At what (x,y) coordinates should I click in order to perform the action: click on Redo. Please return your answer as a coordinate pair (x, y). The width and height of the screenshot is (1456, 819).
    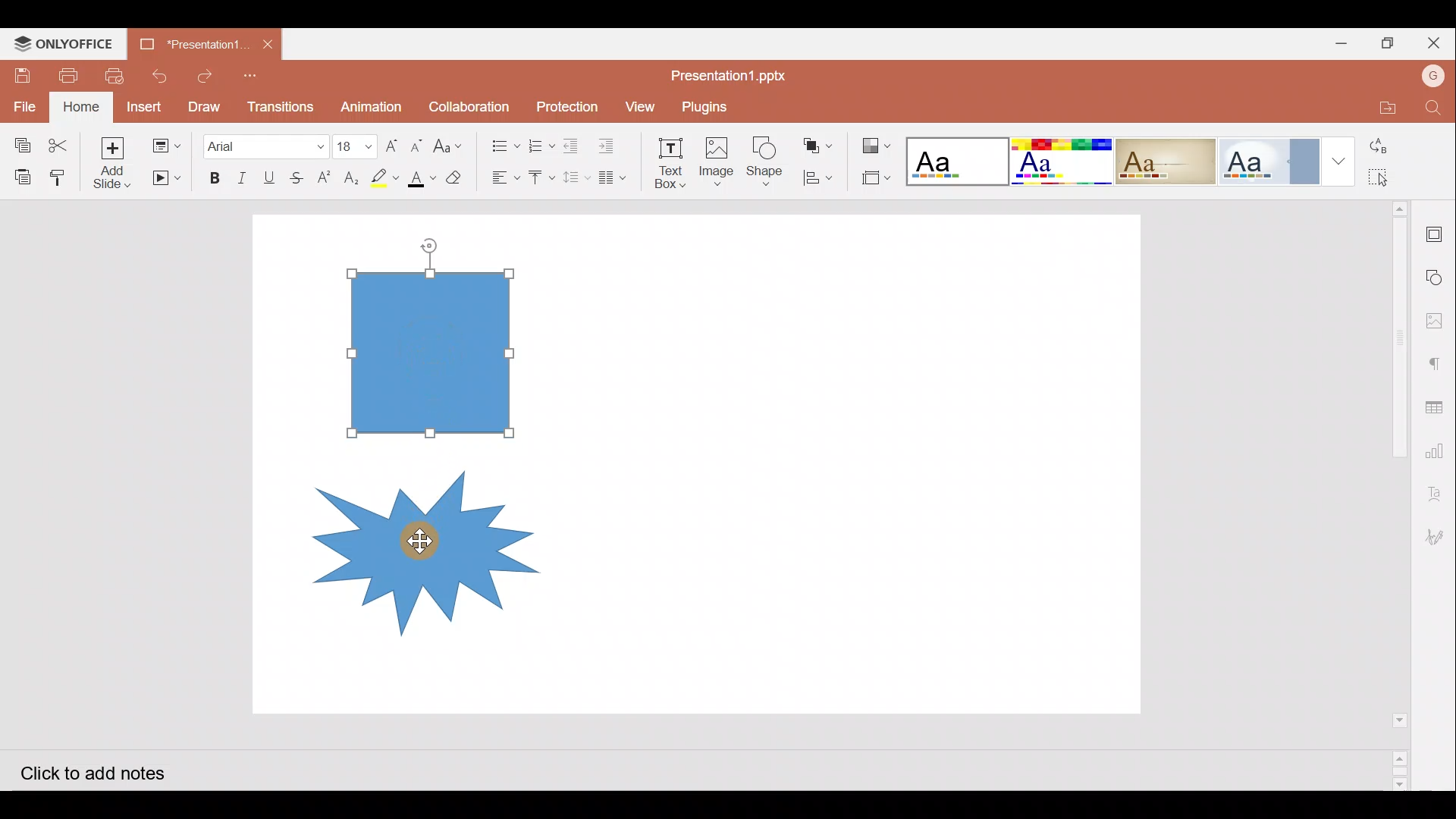
    Looking at the image, I should click on (203, 72).